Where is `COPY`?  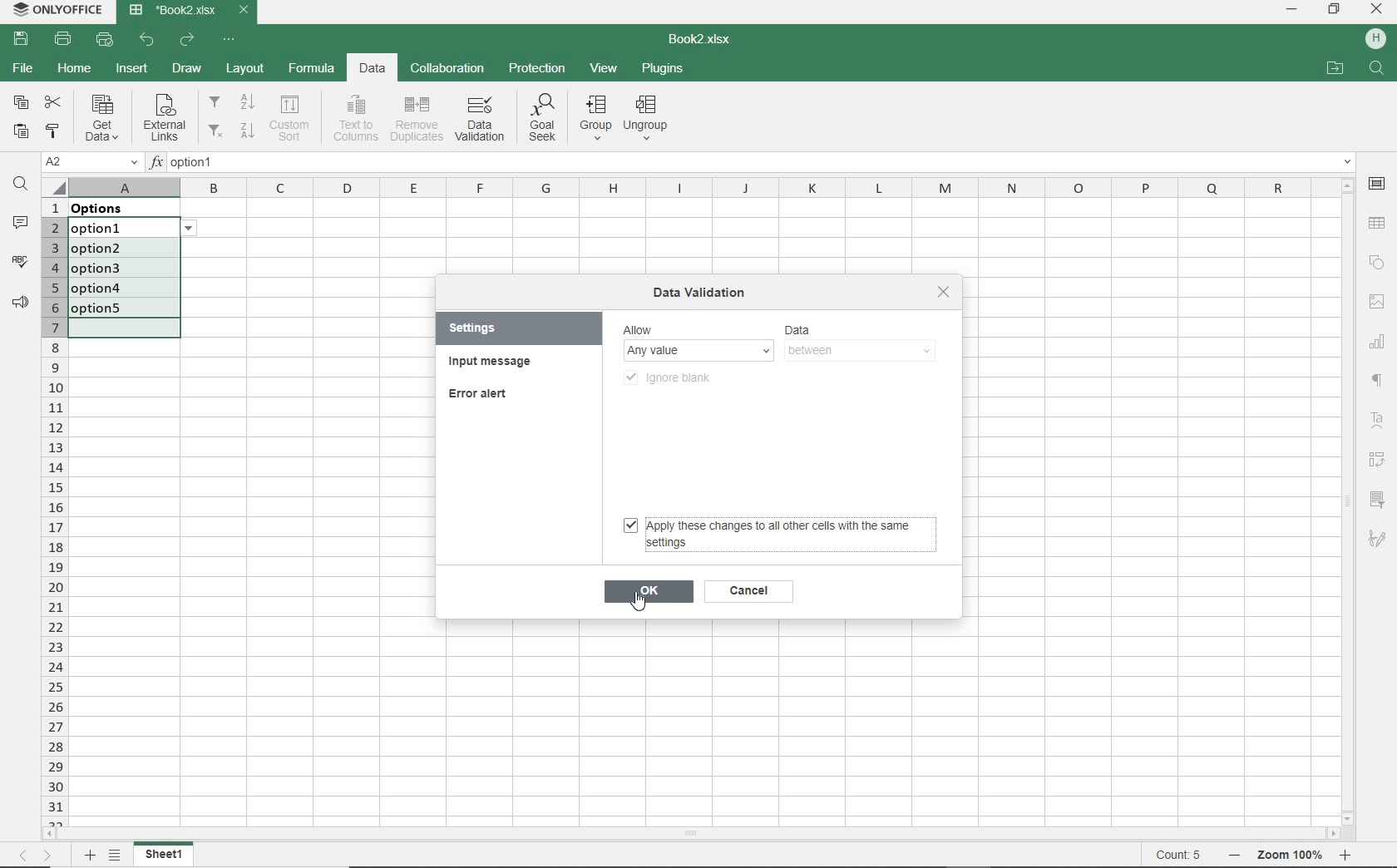 COPY is located at coordinates (19, 101).